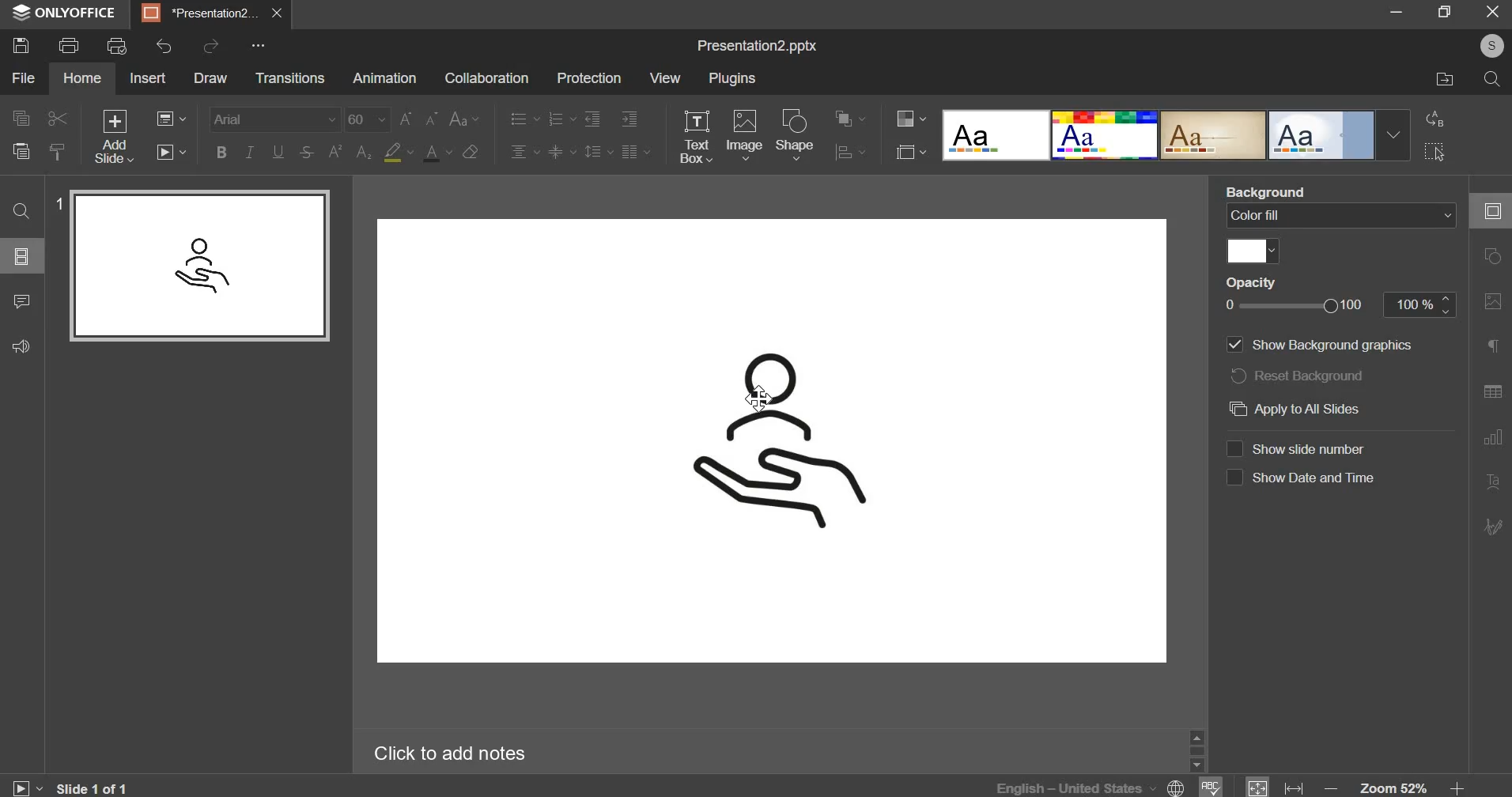 This screenshot has width=1512, height=797. Describe the element at coordinates (170, 119) in the screenshot. I see `change slide layout` at that location.